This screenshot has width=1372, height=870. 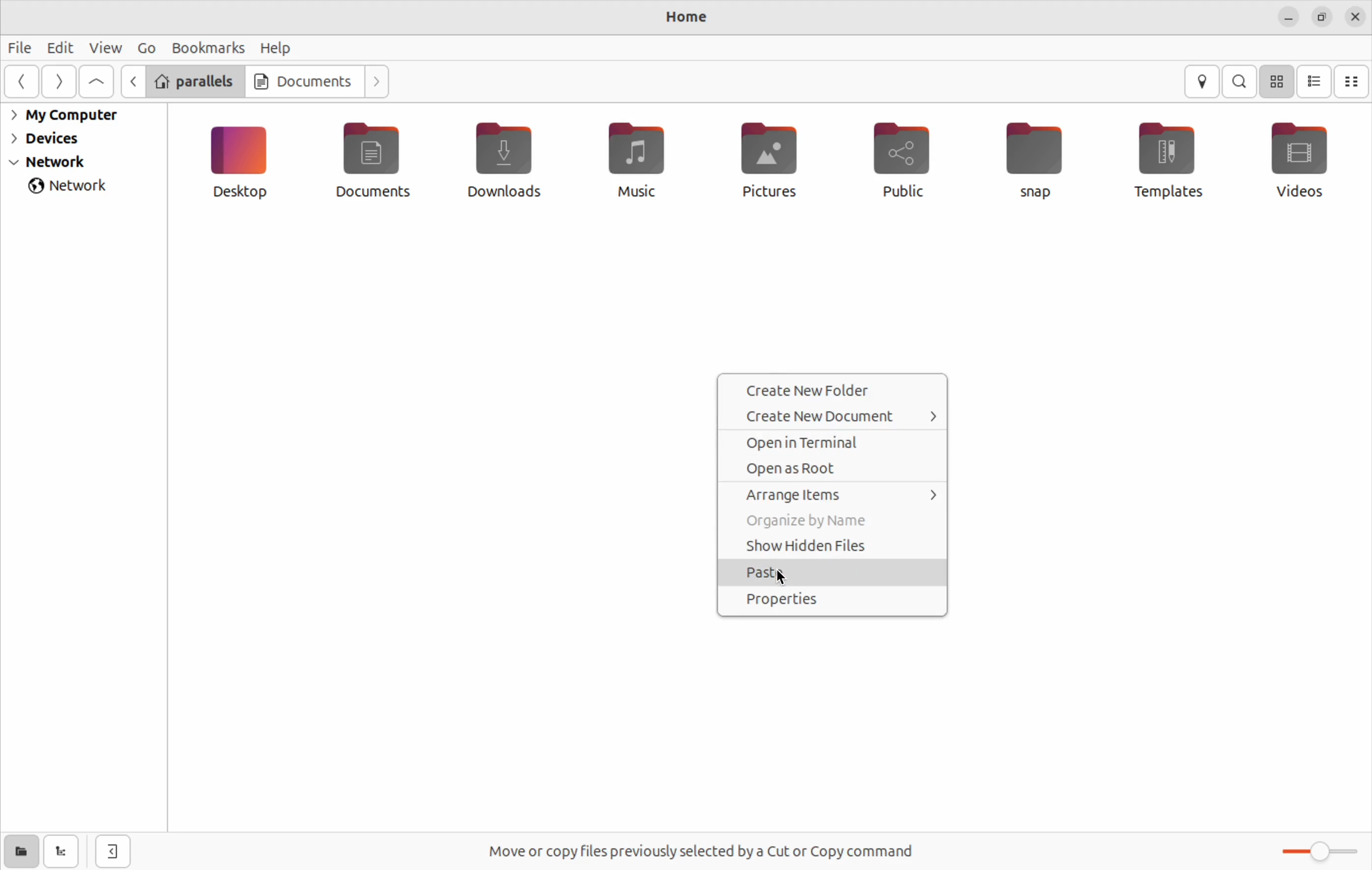 What do you see at coordinates (104, 47) in the screenshot?
I see `view` at bounding box center [104, 47].